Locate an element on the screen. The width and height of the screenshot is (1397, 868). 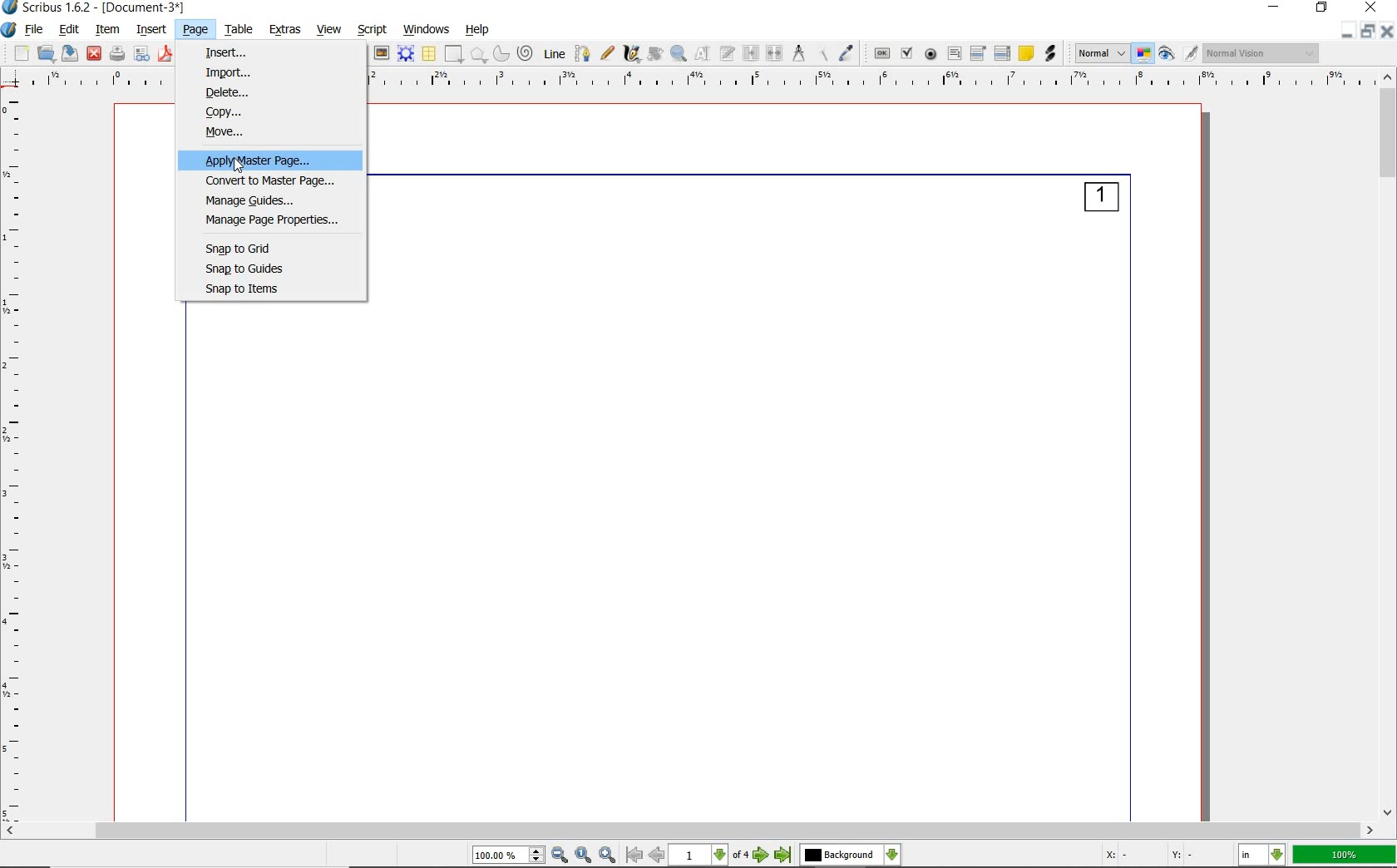
table is located at coordinates (429, 52).